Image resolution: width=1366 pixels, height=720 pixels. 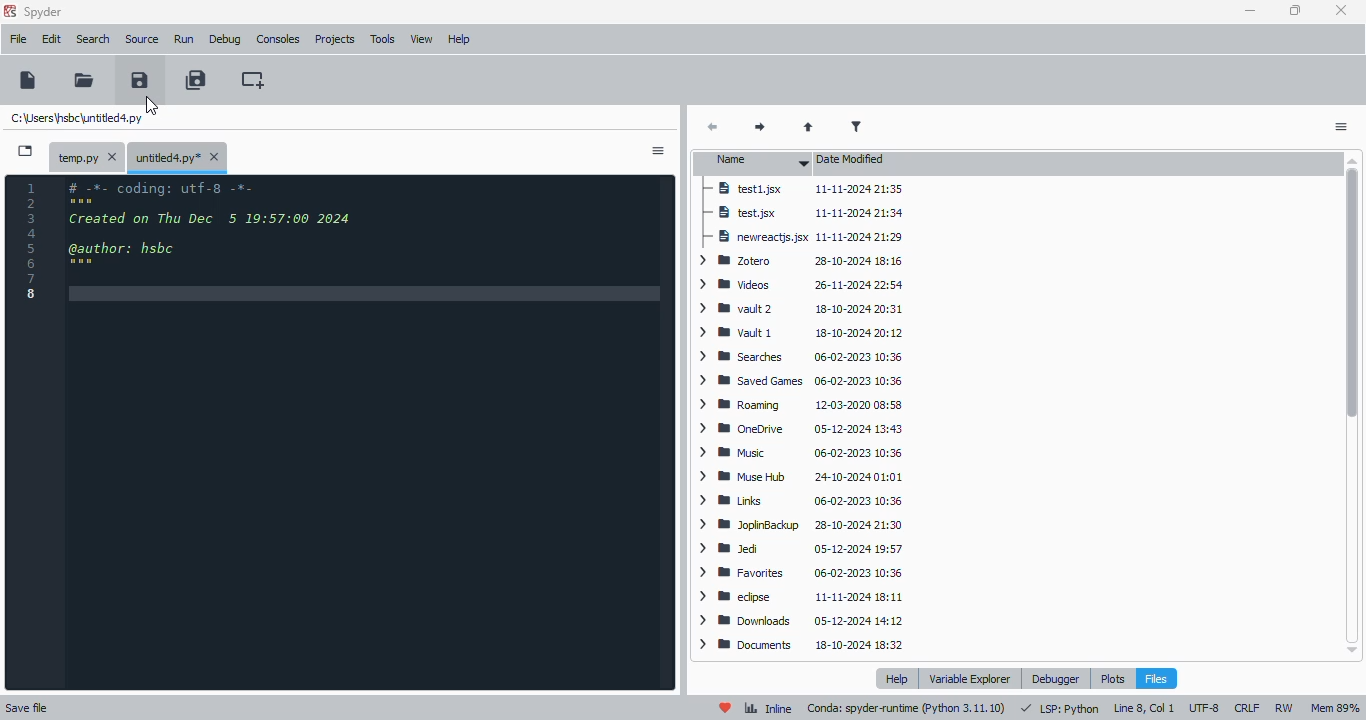 I want to click on debug, so click(x=226, y=39).